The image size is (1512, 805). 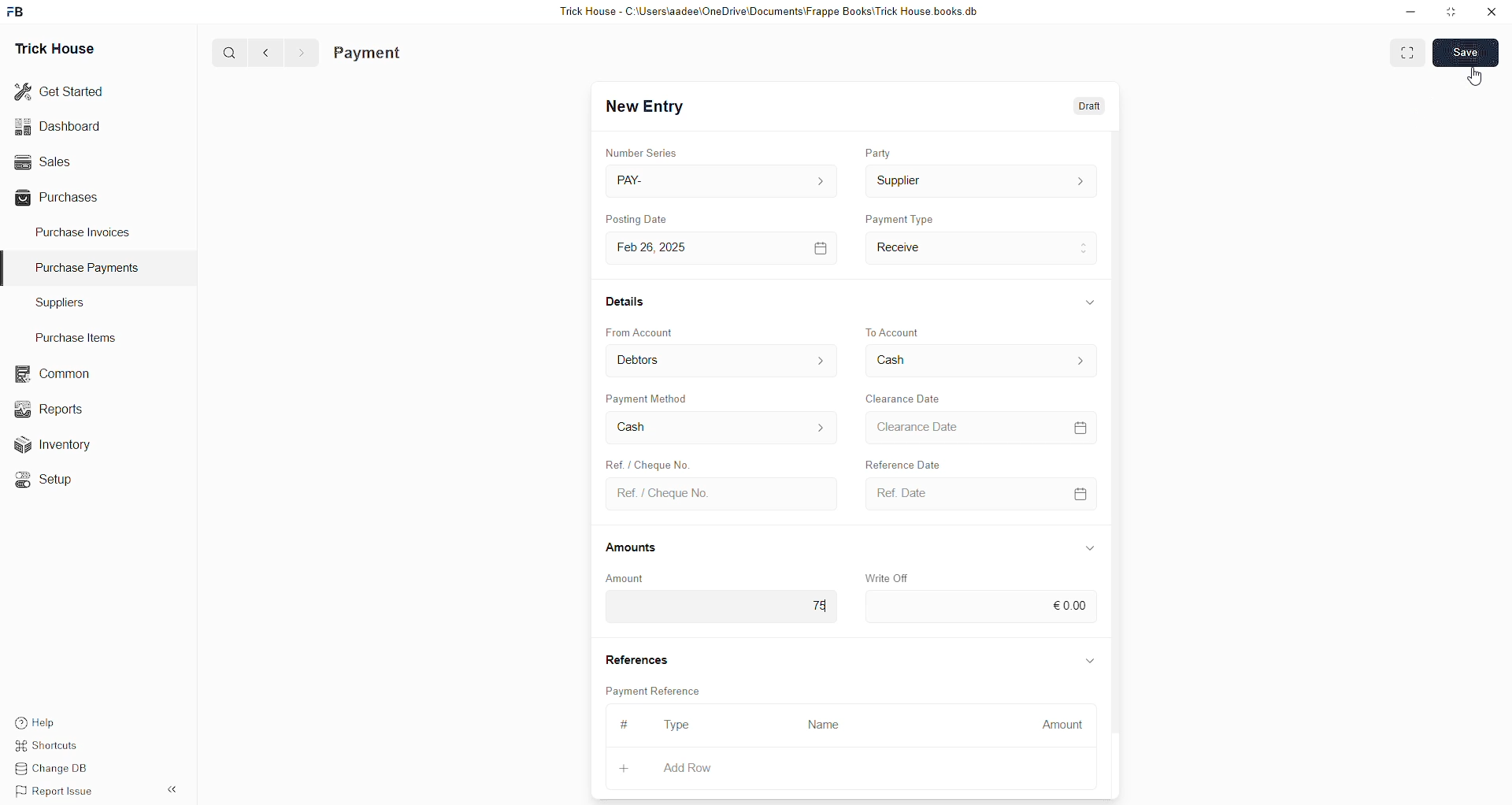 I want to click on Help, so click(x=35, y=723).